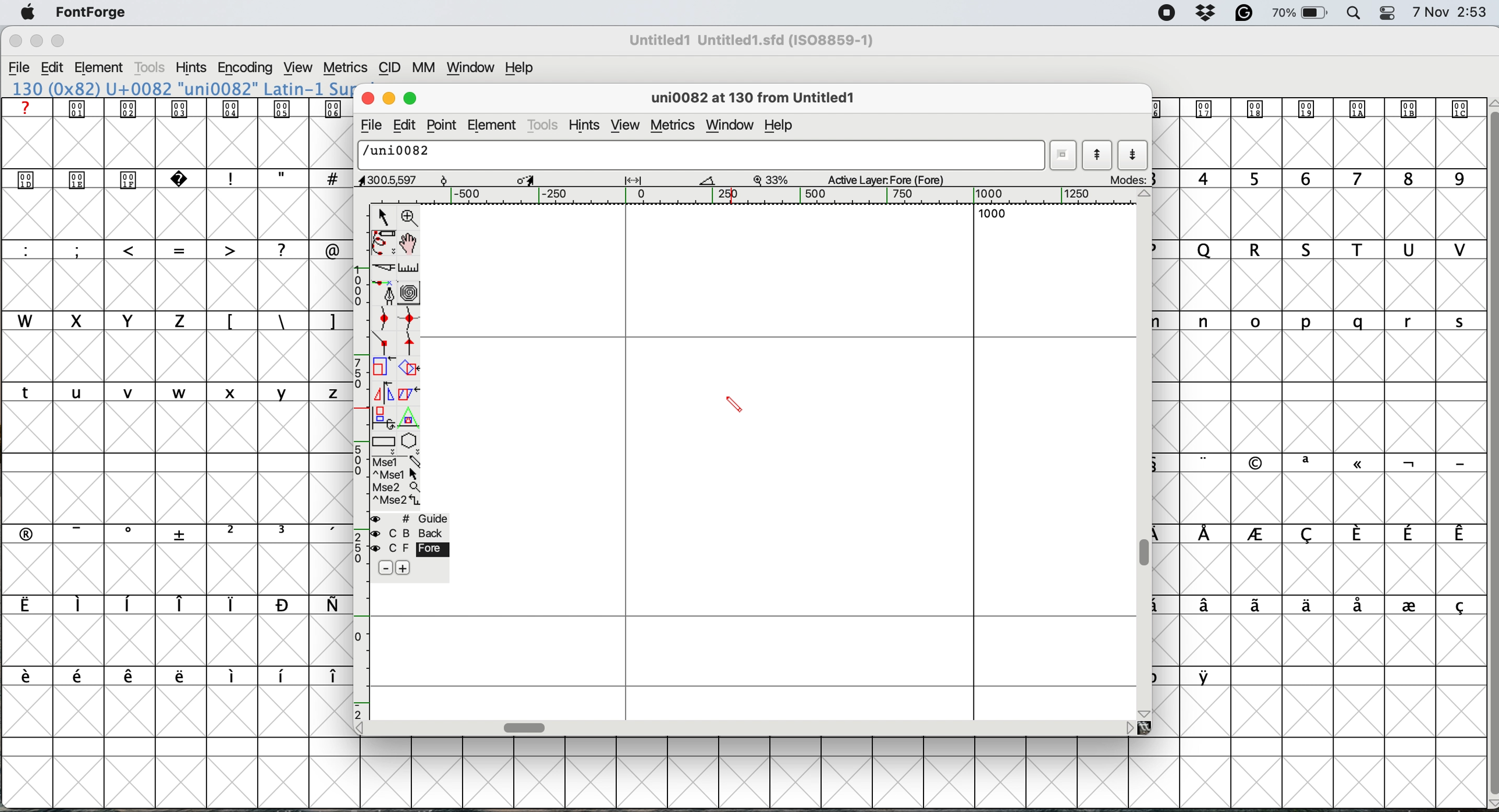  I want to click on edit, so click(58, 68).